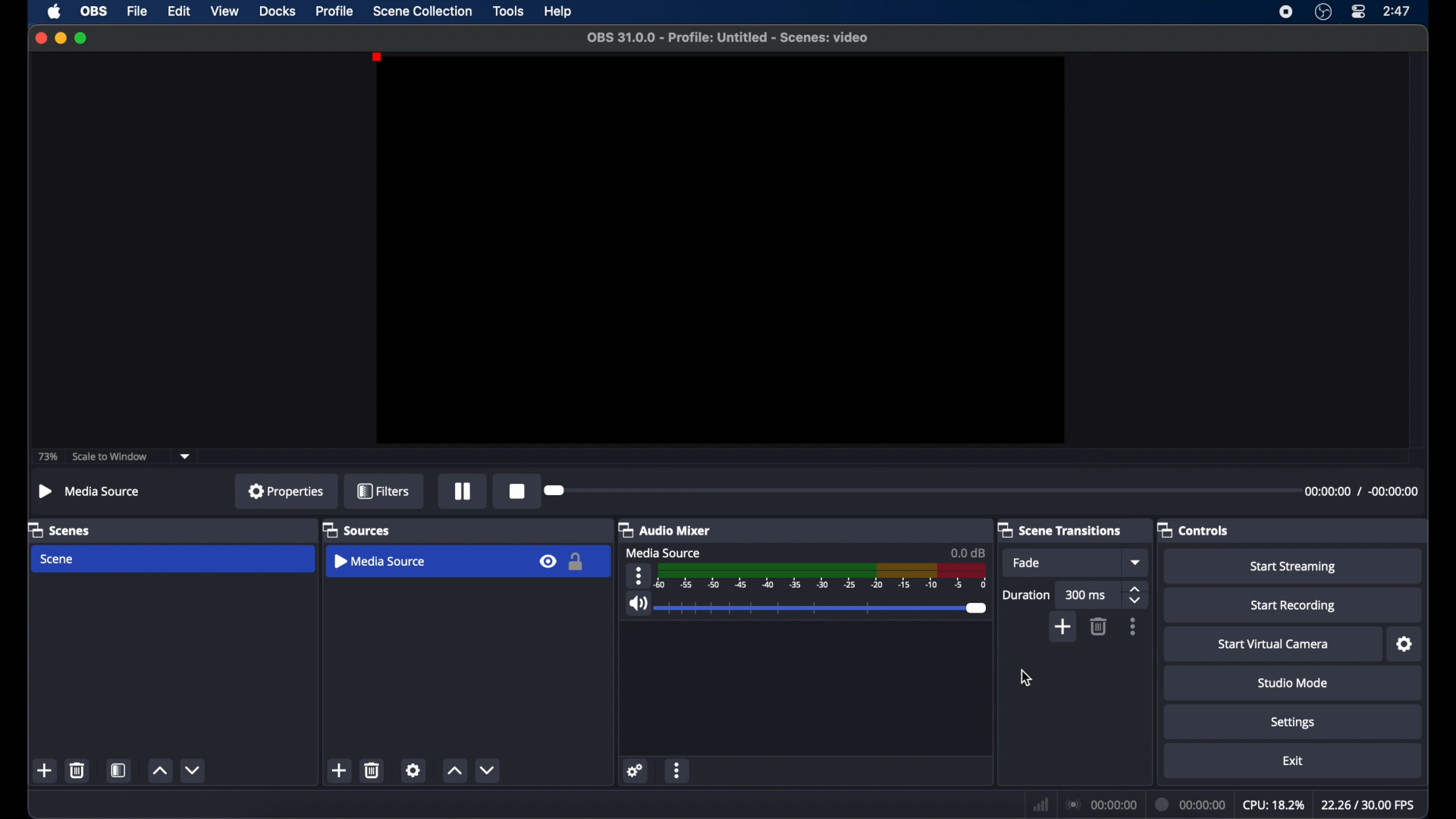 The image size is (1456, 819). I want to click on exit , so click(1293, 761).